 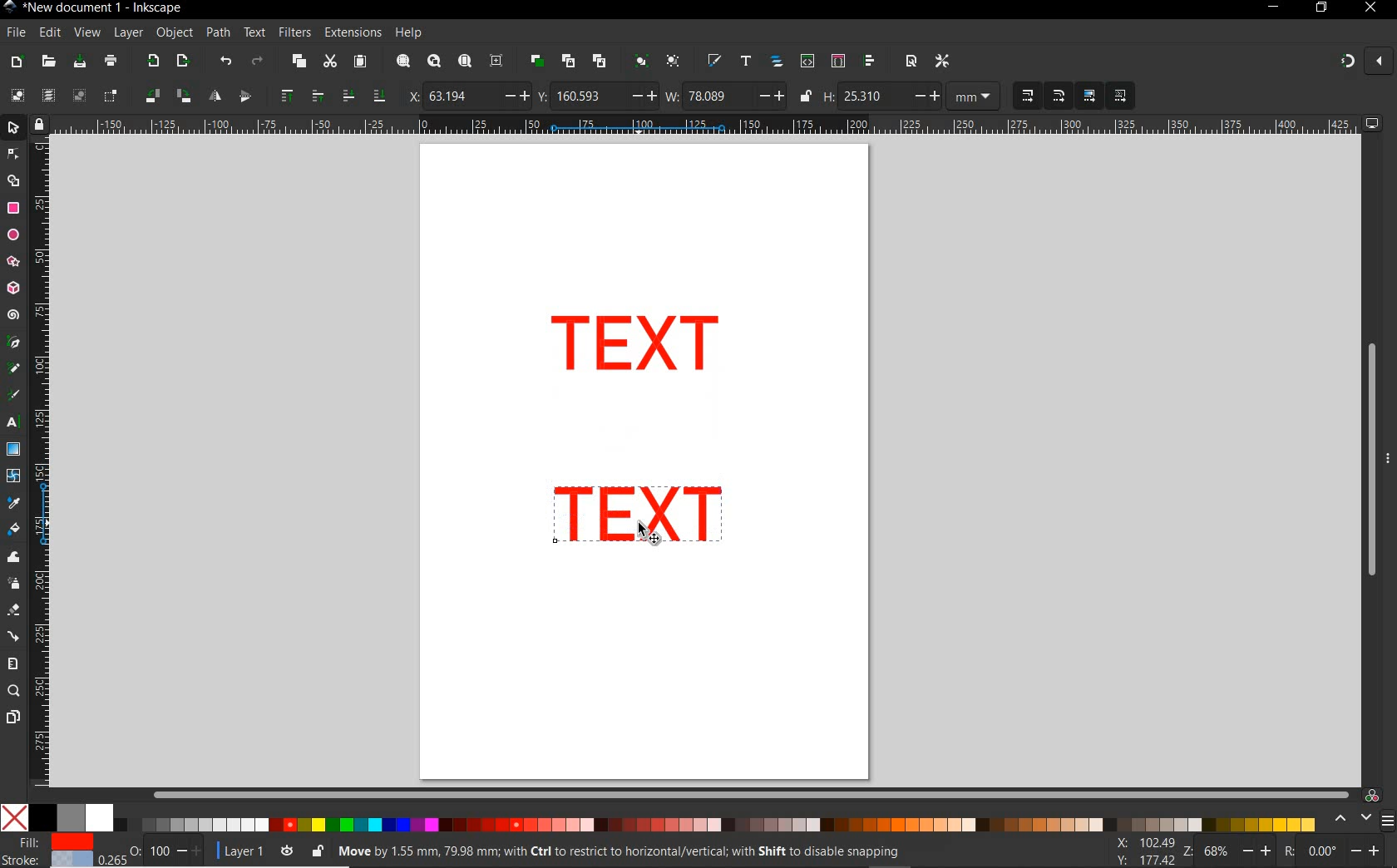 What do you see at coordinates (111, 96) in the screenshot?
I see `toggle selection box to select all touched objects` at bounding box center [111, 96].